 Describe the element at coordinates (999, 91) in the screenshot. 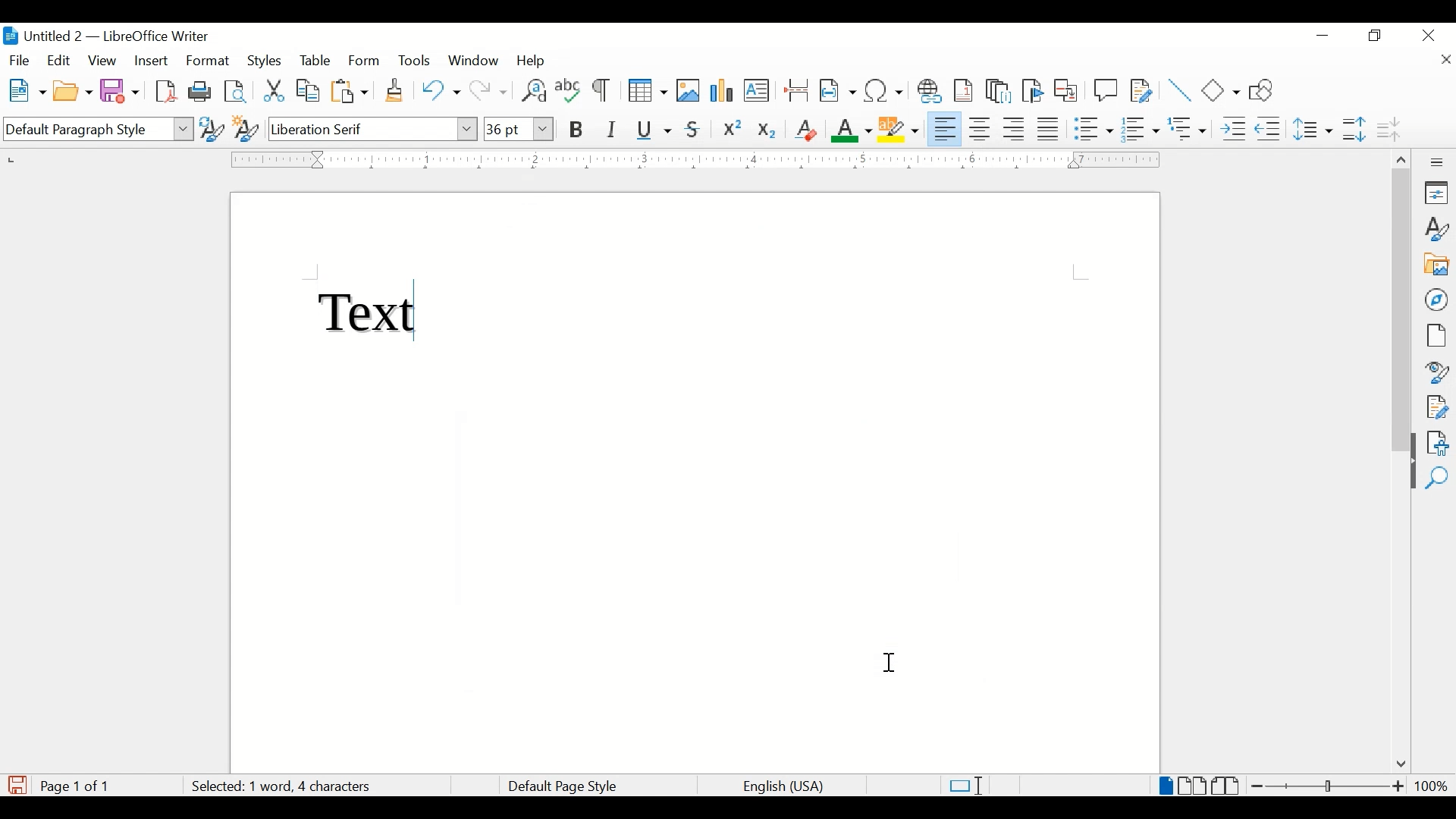

I see `insert endnote` at that location.